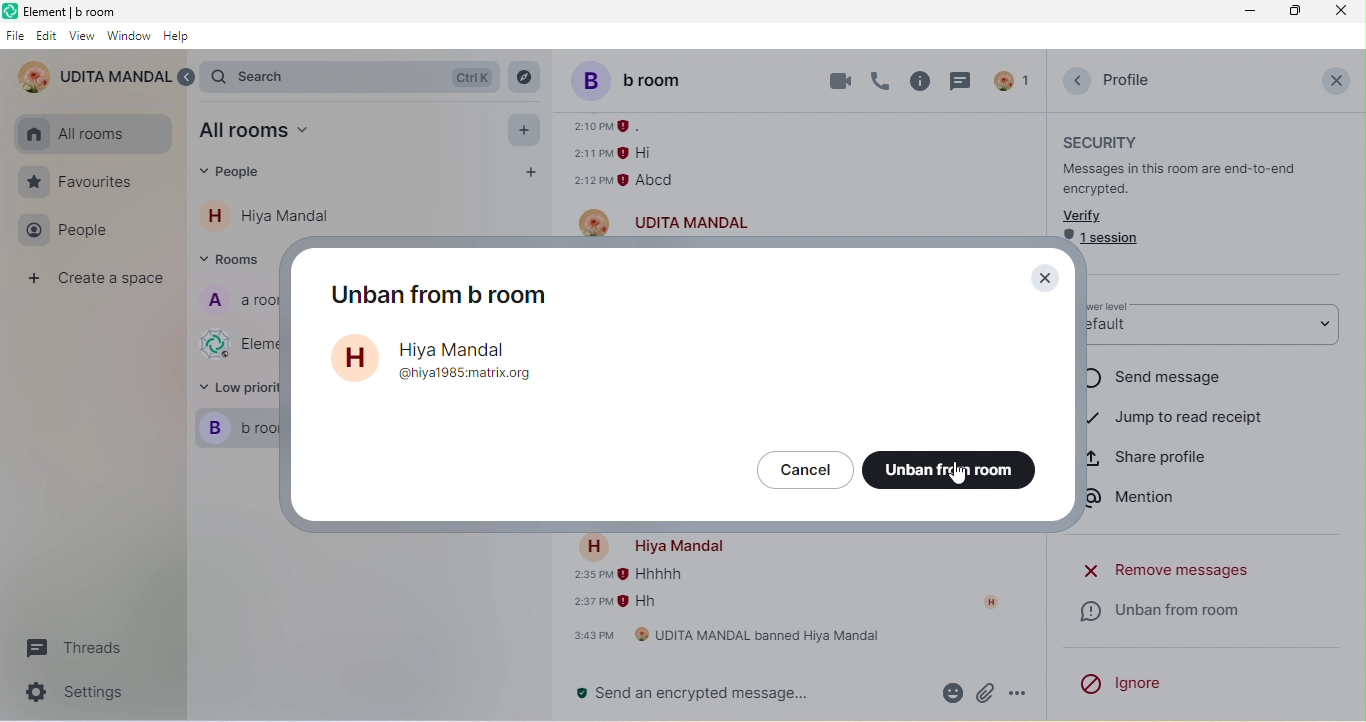 The height and width of the screenshot is (722, 1366). What do you see at coordinates (289, 216) in the screenshot?
I see `hiya mandal` at bounding box center [289, 216].